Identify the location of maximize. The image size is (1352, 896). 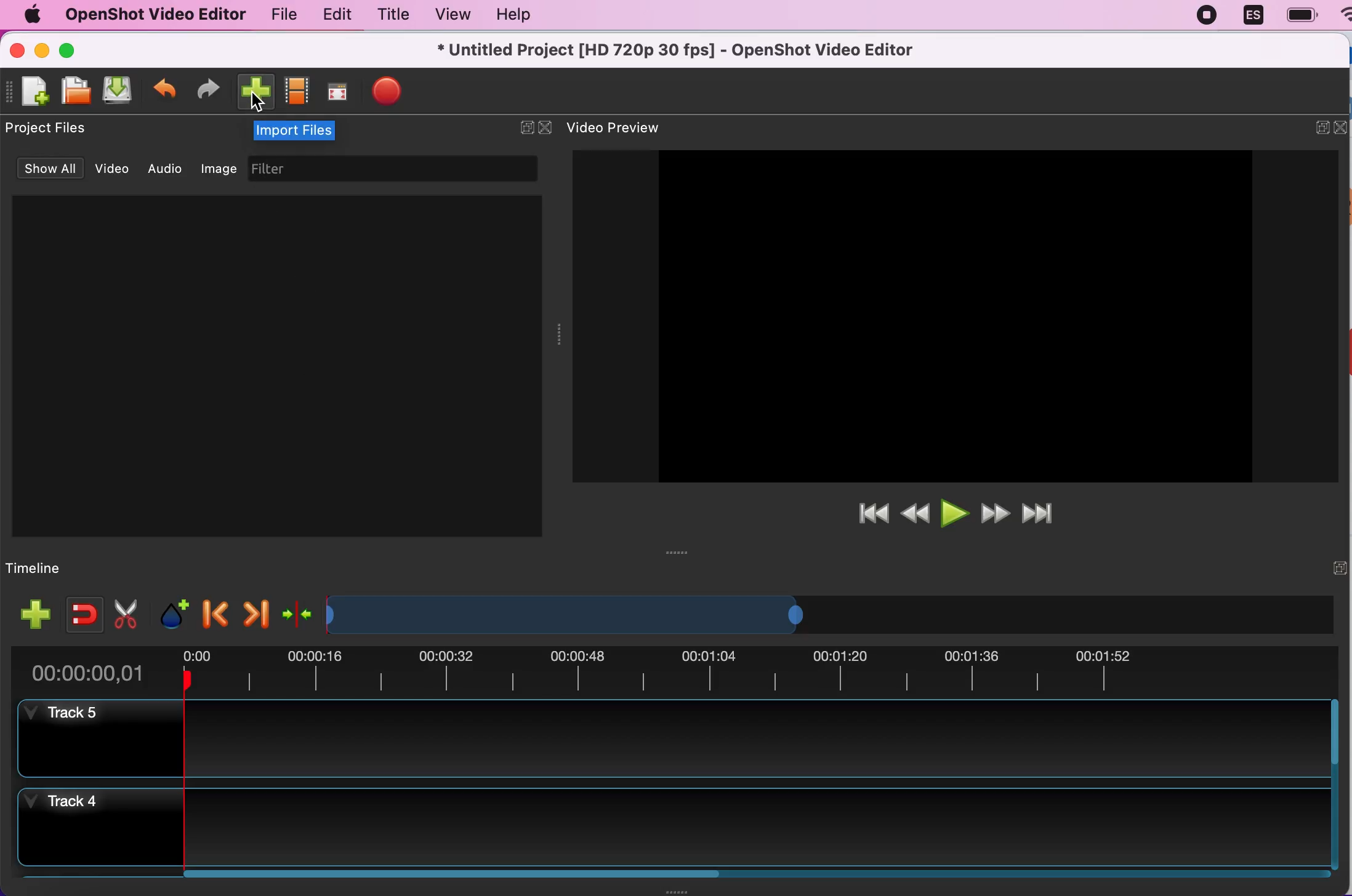
(68, 51).